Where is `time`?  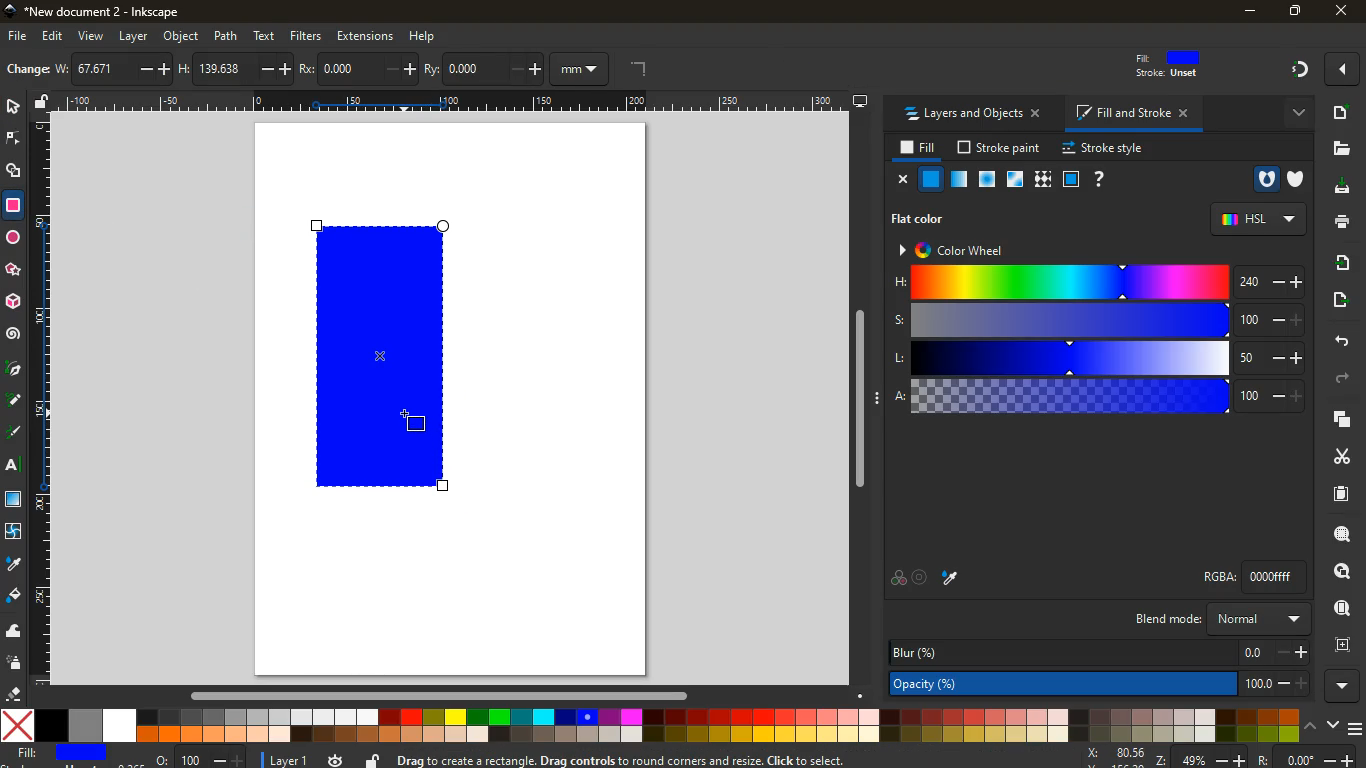
time is located at coordinates (337, 760).